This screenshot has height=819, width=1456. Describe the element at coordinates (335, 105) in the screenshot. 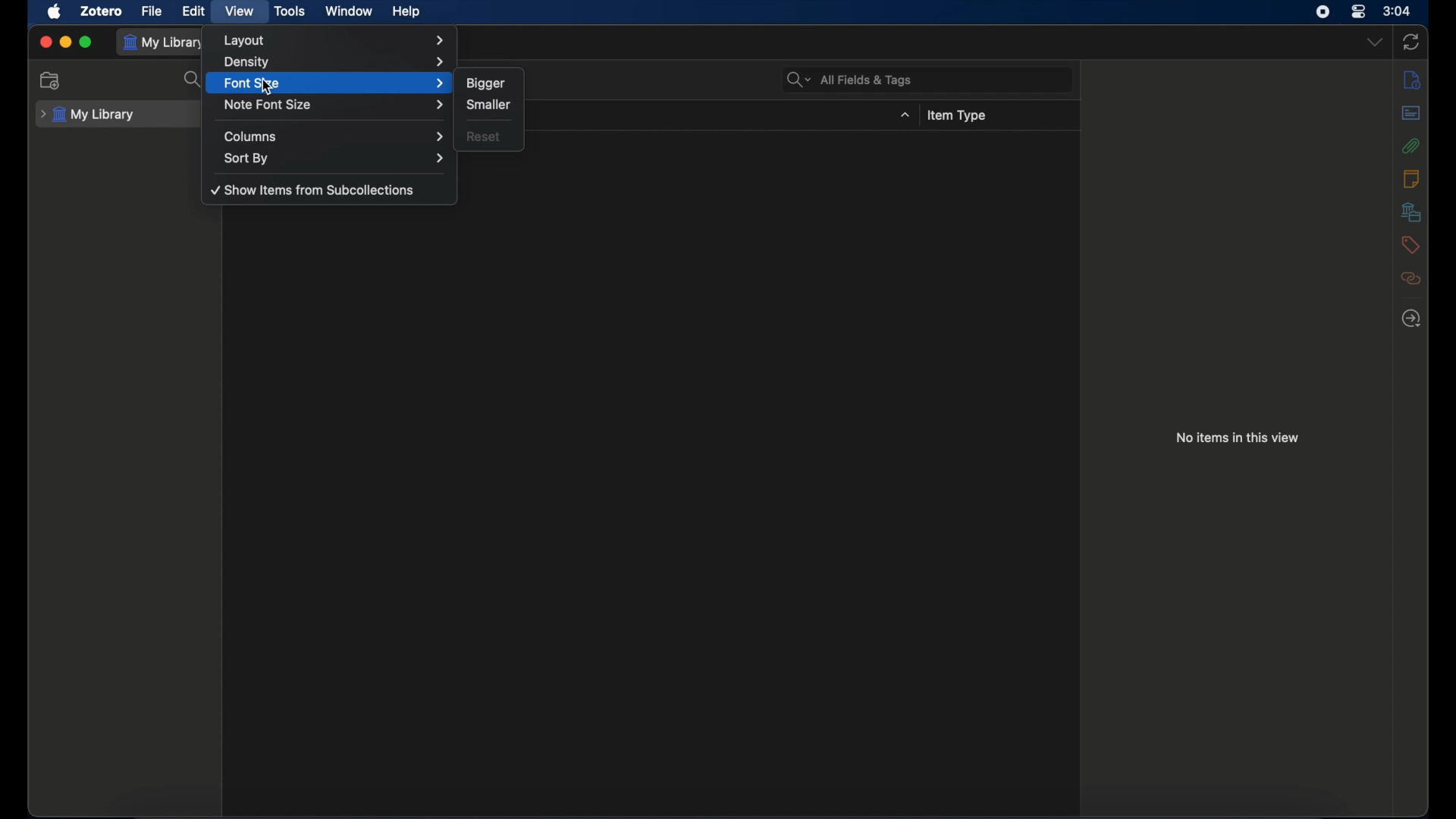

I see `note font size` at that location.